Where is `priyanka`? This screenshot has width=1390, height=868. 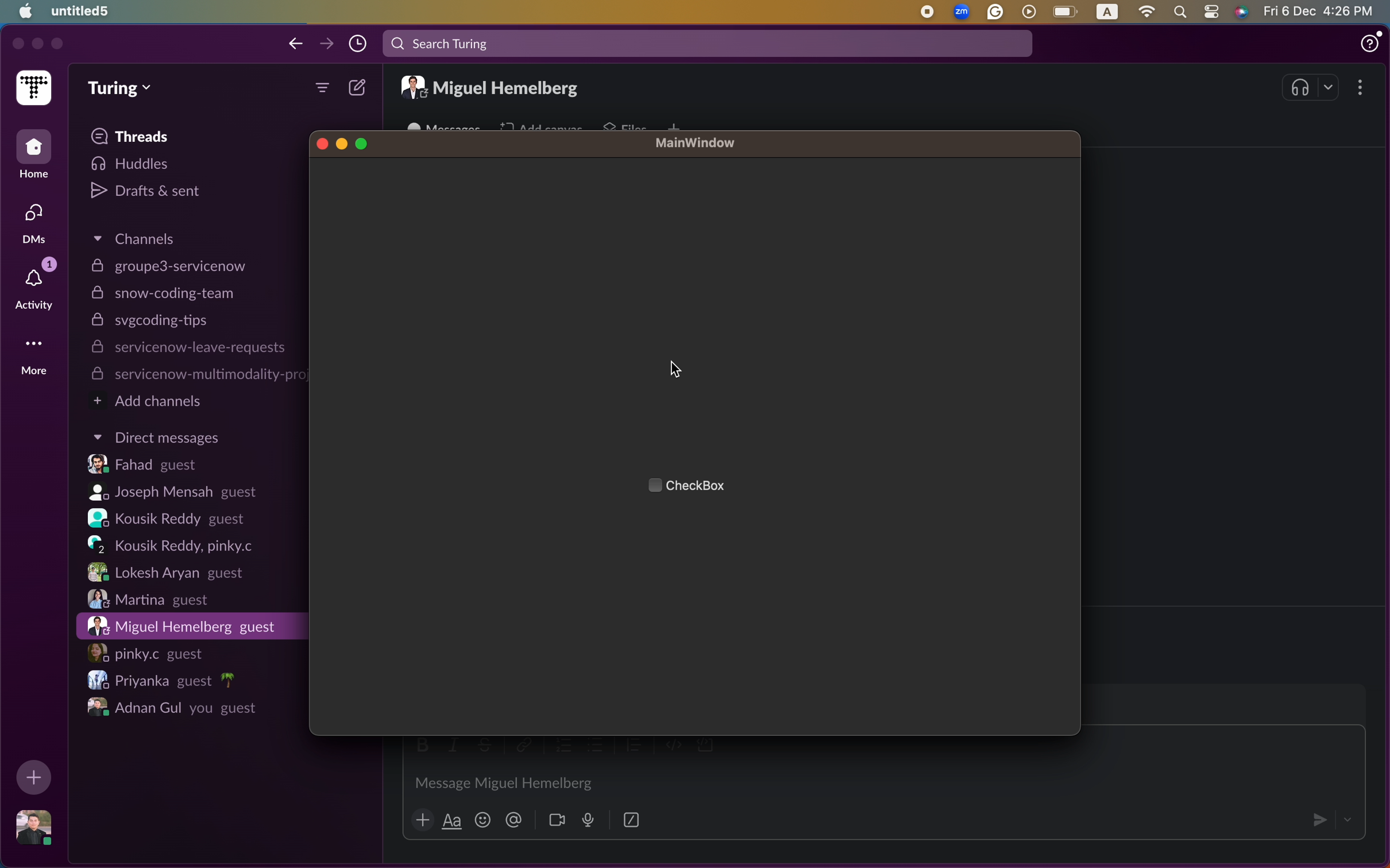 priyanka is located at coordinates (157, 680).